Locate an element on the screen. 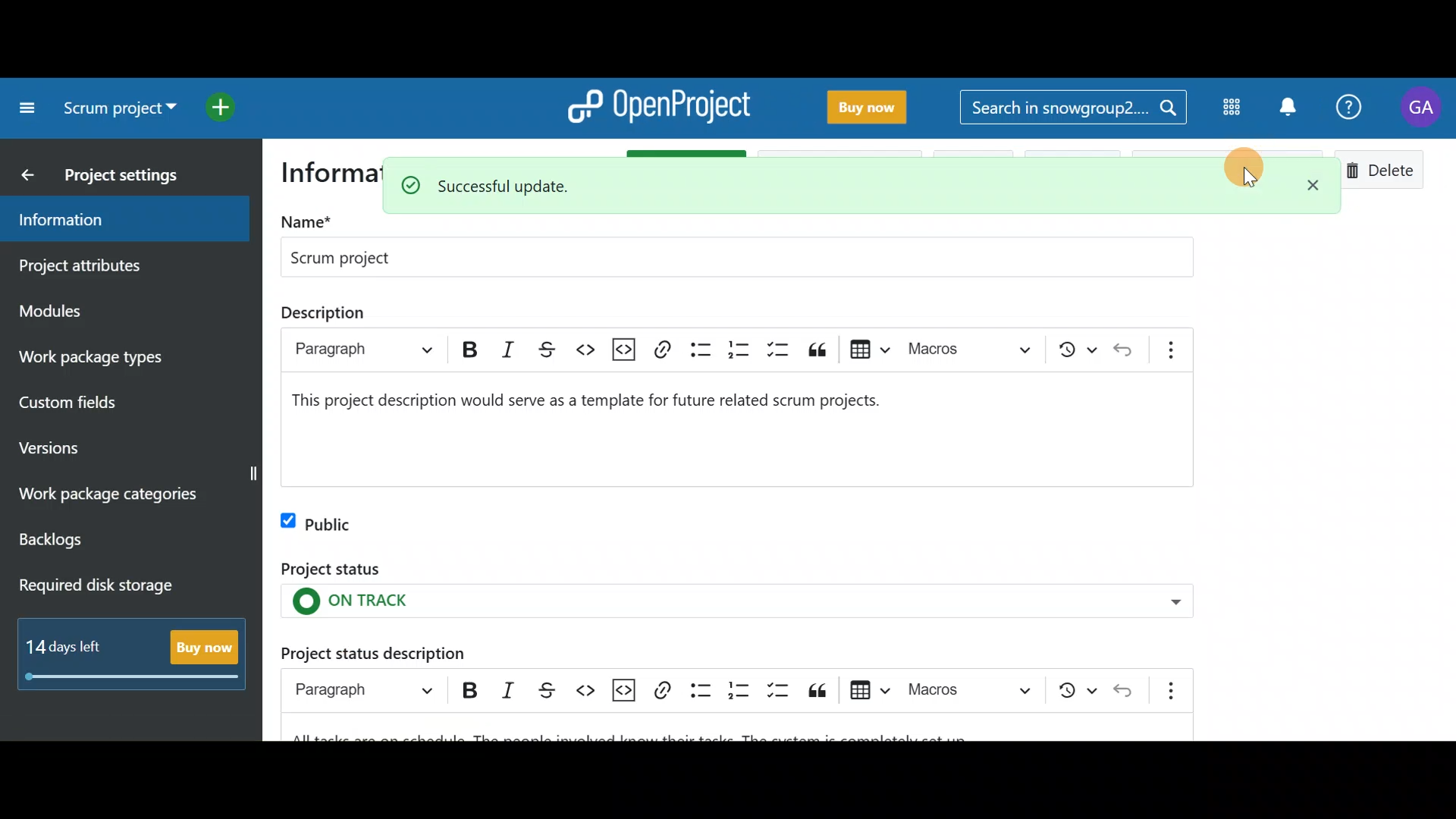 This screenshot has height=819, width=1456. Bulleted list is located at coordinates (700, 689).